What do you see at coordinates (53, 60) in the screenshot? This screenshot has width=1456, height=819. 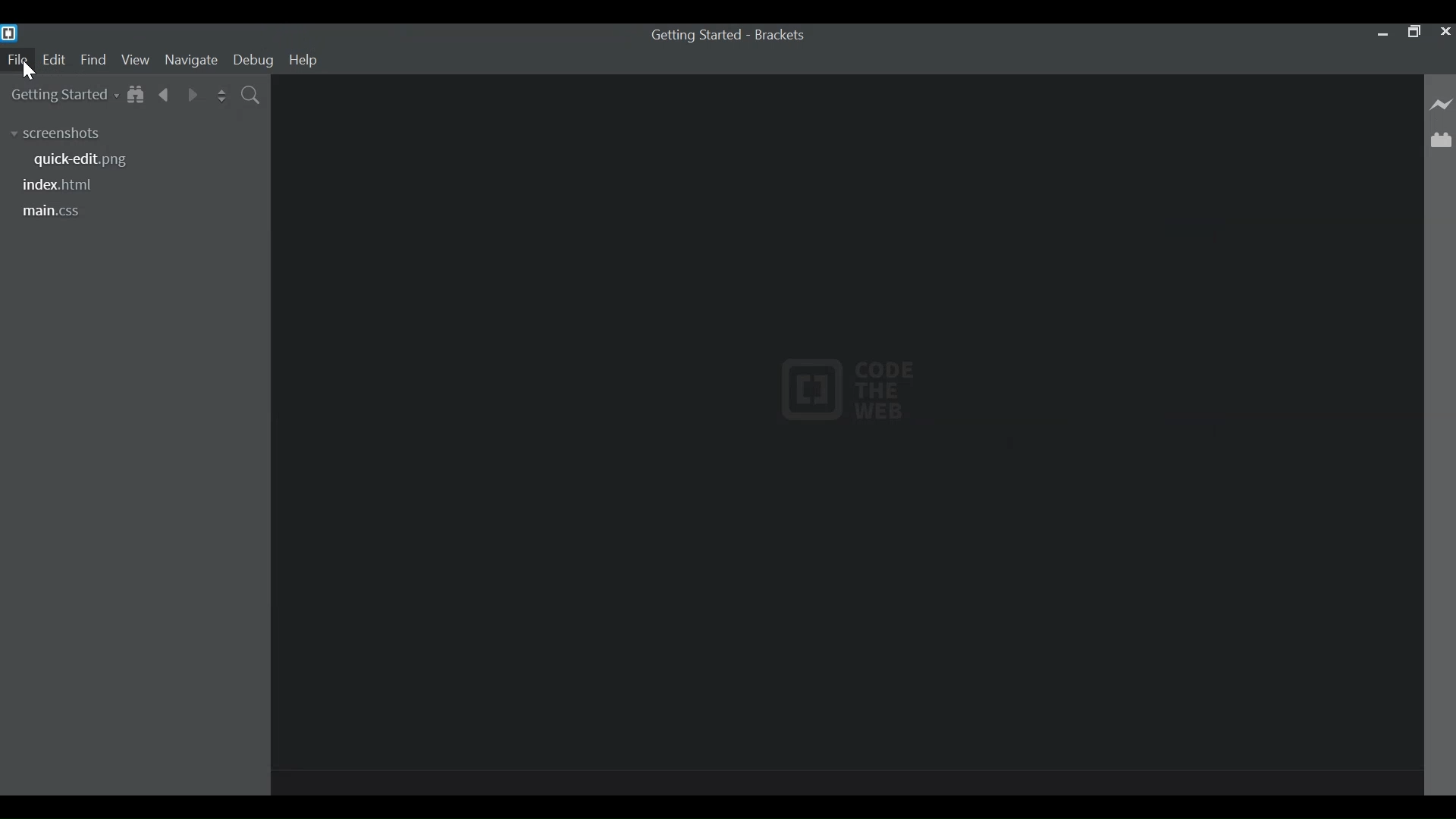 I see `Edit` at bounding box center [53, 60].